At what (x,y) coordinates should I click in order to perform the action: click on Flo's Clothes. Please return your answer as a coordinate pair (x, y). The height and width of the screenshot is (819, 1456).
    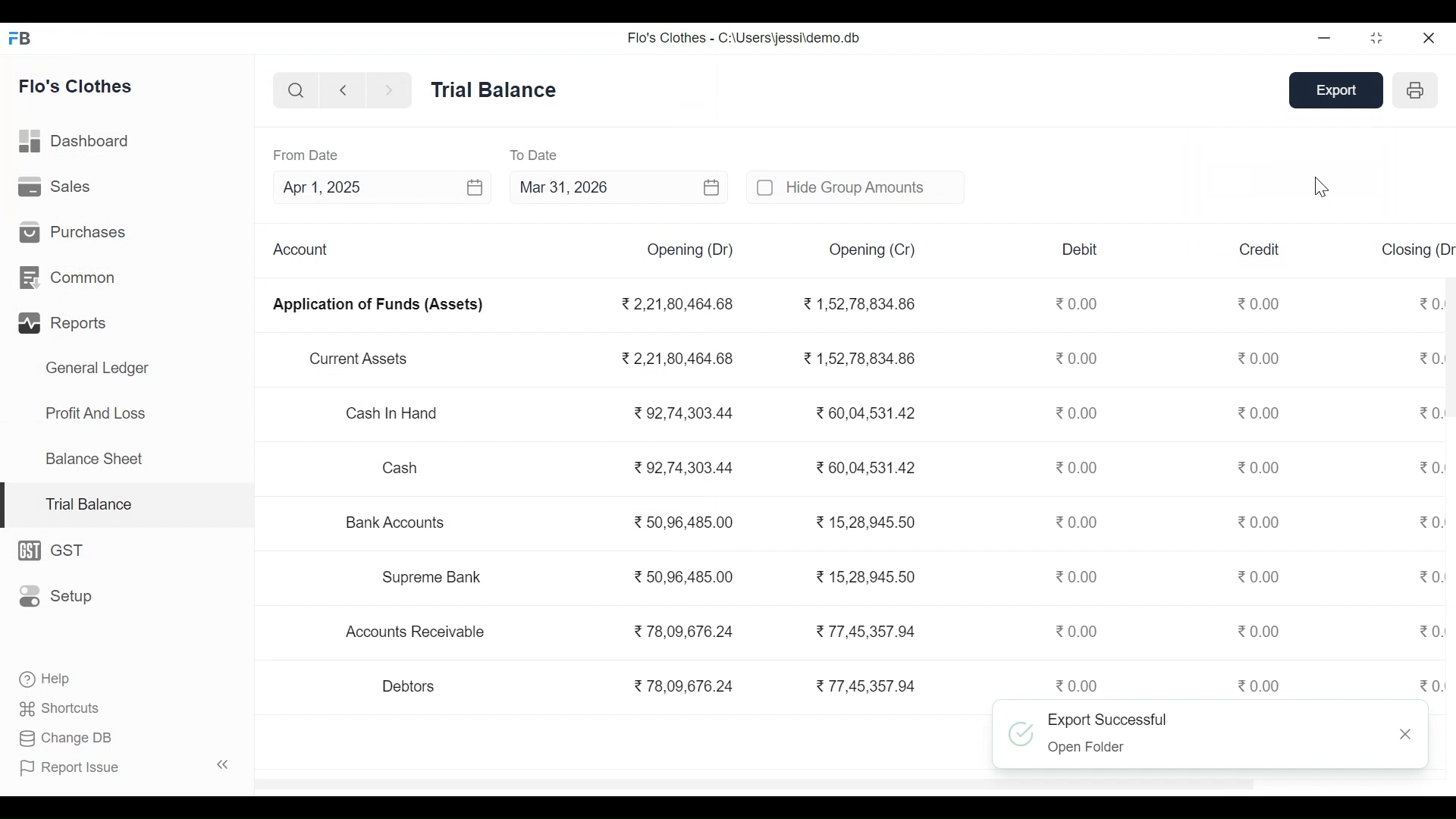
    Looking at the image, I should click on (75, 86).